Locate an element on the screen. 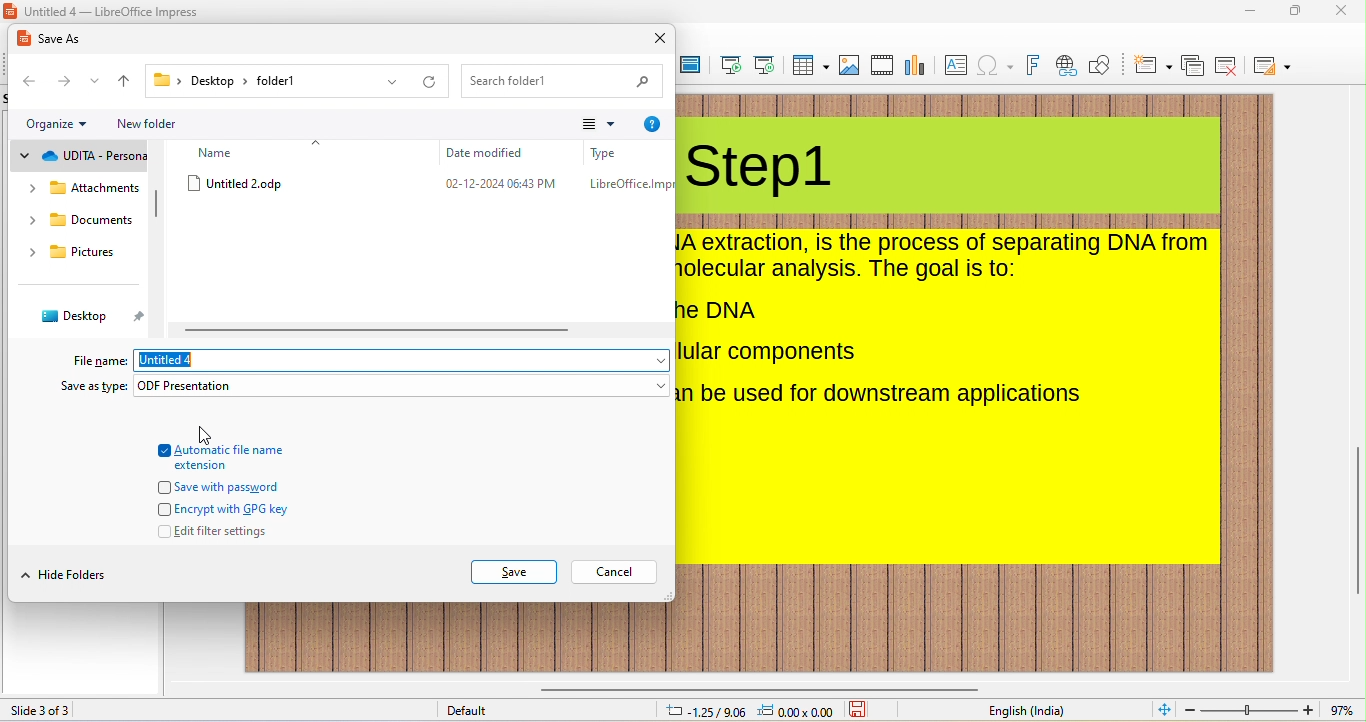  start from current slide is located at coordinates (764, 65).